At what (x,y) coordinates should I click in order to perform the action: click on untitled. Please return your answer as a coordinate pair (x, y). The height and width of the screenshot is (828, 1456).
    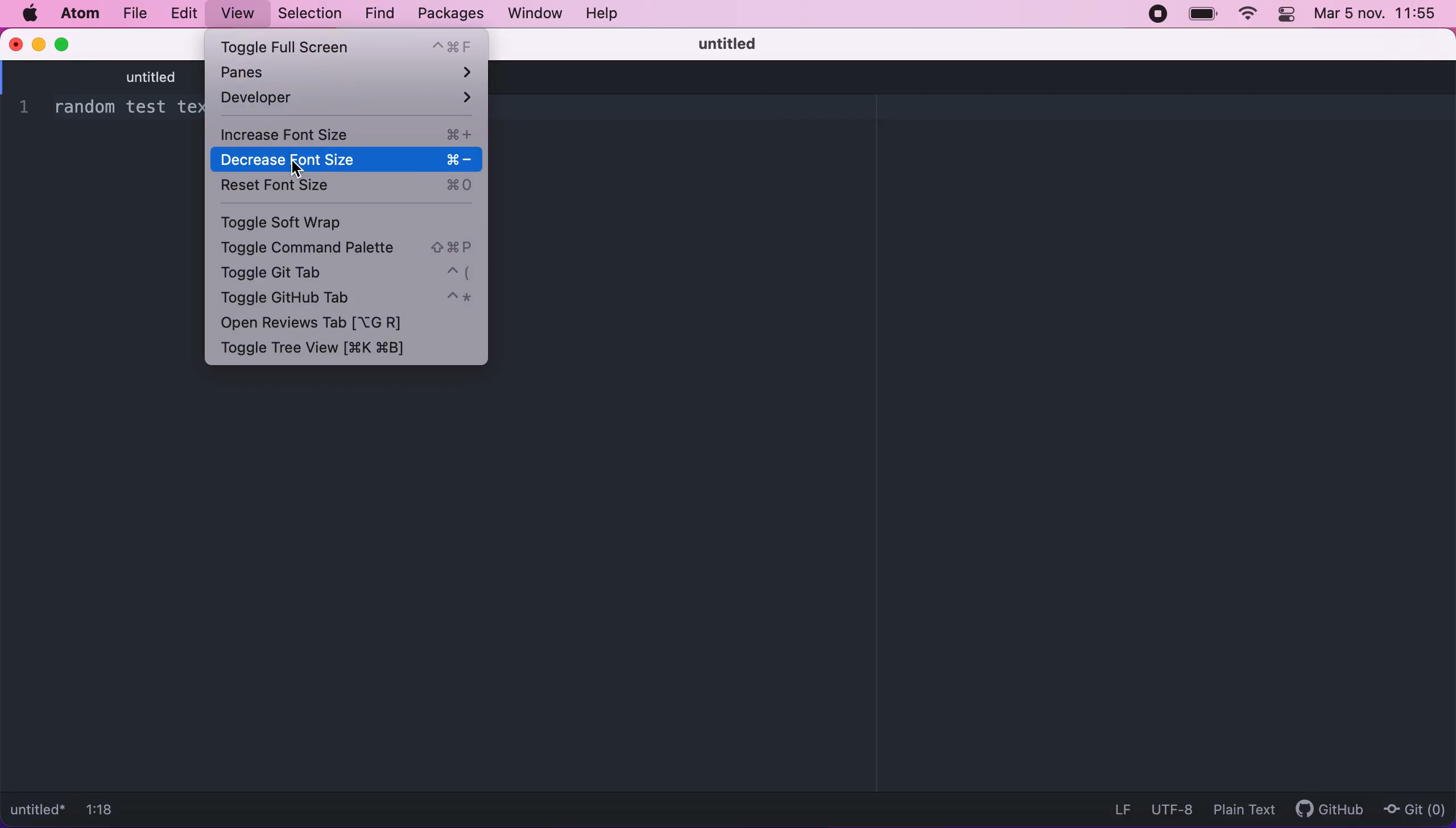
    Looking at the image, I should click on (124, 77).